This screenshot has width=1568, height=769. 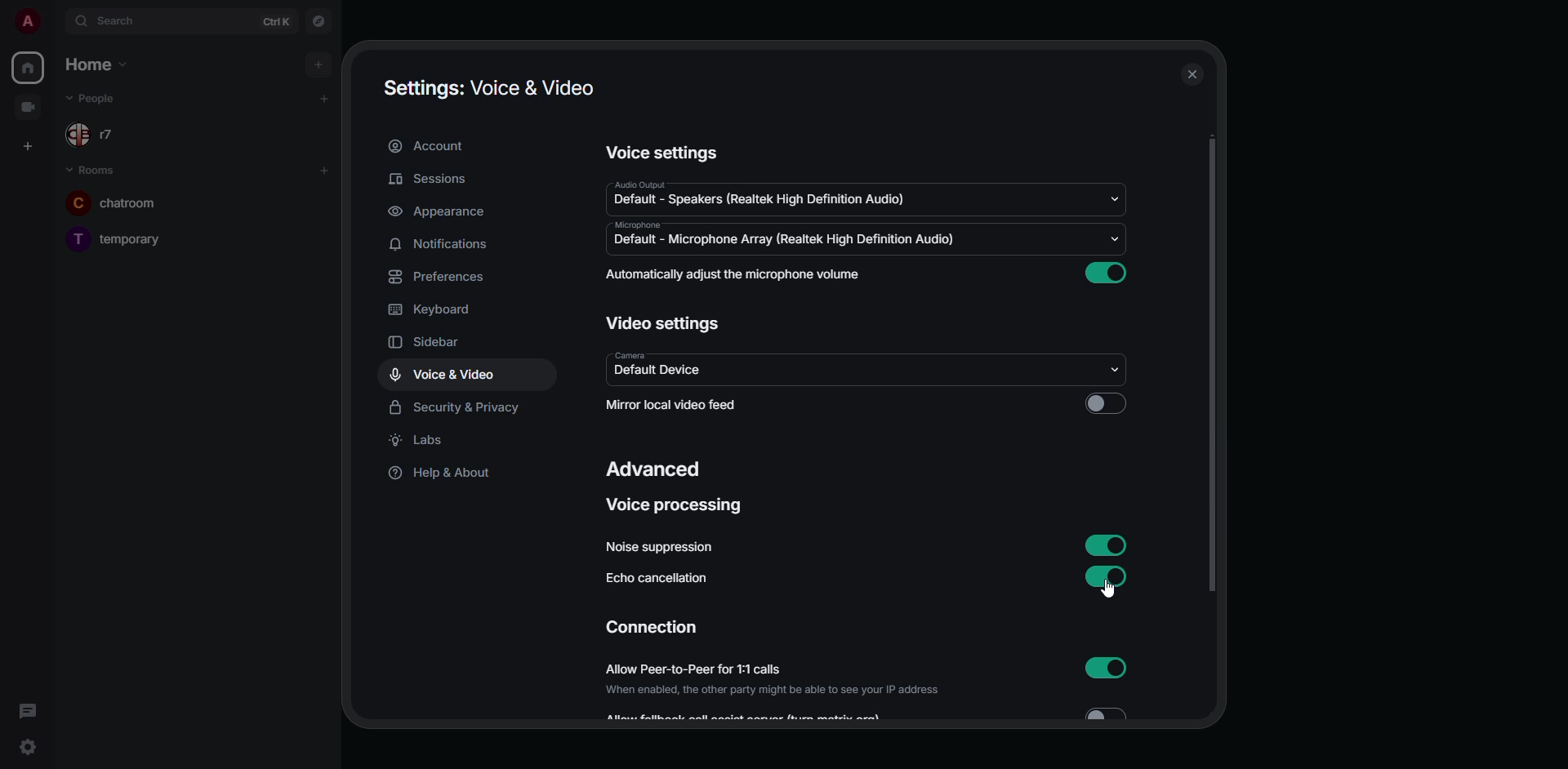 What do you see at coordinates (1192, 75) in the screenshot?
I see `close` at bounding box center [1192, 75].